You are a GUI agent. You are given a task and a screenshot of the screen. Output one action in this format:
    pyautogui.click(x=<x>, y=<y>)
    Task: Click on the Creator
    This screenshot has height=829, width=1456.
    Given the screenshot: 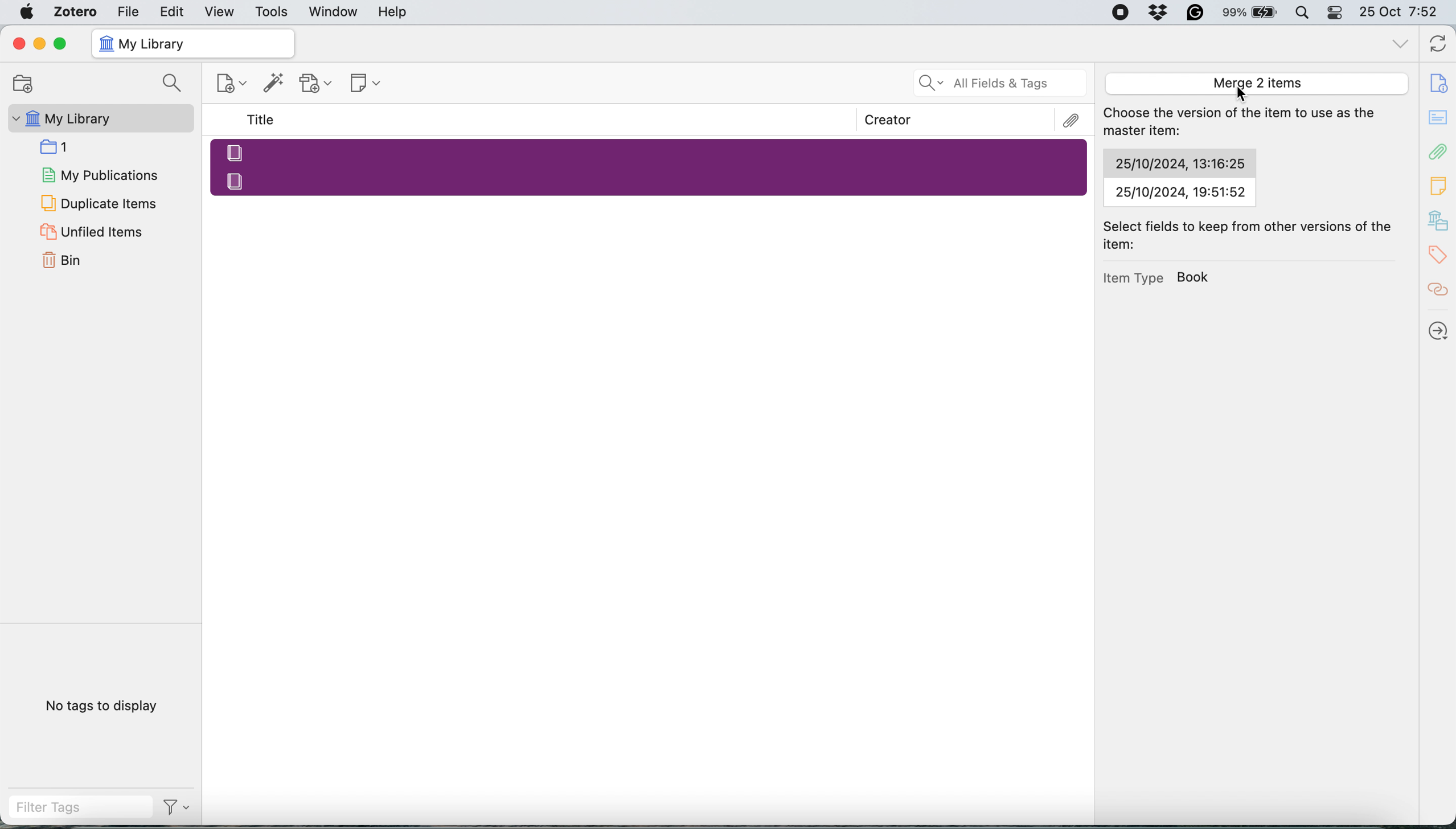 What is the action you would take?
    pyautogui.click(x=888, y=120)
    